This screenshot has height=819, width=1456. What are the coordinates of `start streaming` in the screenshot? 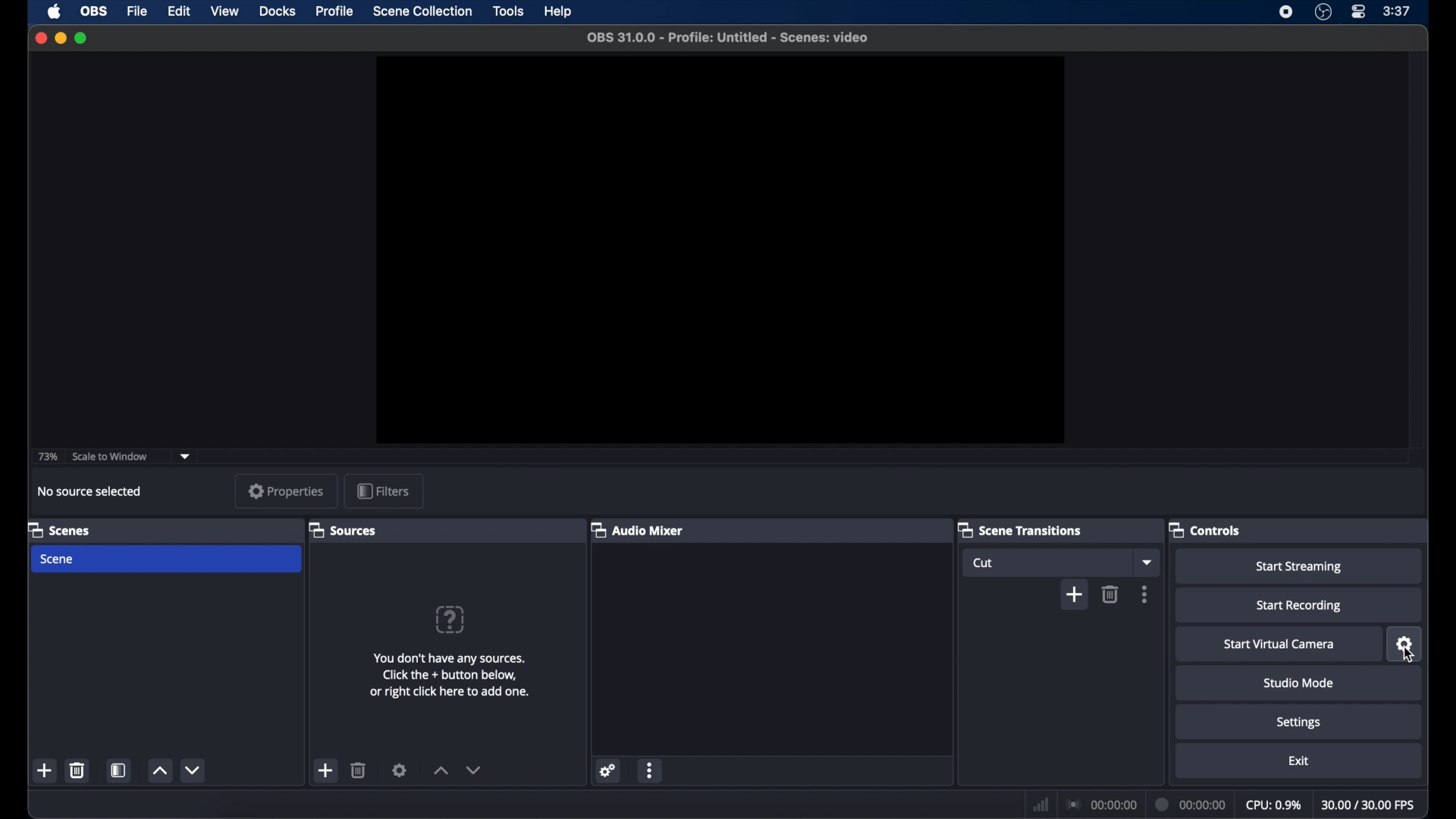 It's located at (1298, 567).